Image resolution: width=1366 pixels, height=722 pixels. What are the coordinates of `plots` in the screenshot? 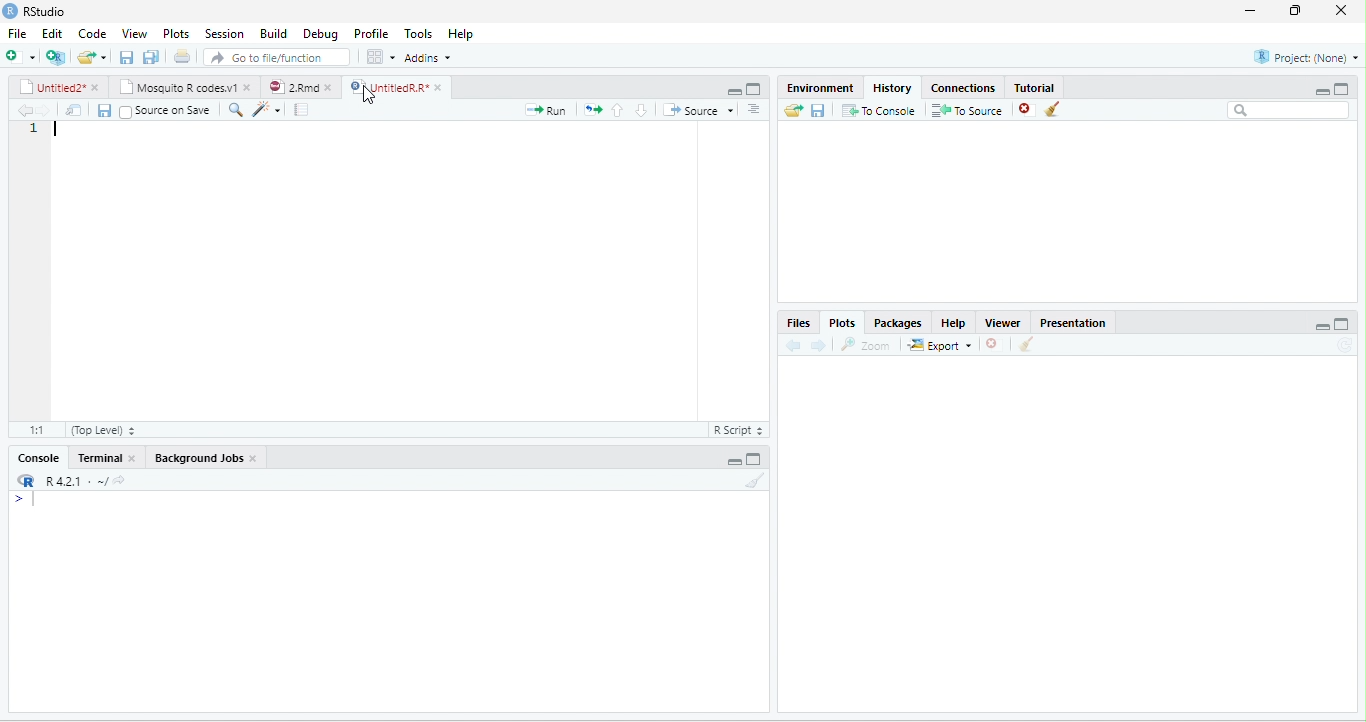 It's located at (176, 33).